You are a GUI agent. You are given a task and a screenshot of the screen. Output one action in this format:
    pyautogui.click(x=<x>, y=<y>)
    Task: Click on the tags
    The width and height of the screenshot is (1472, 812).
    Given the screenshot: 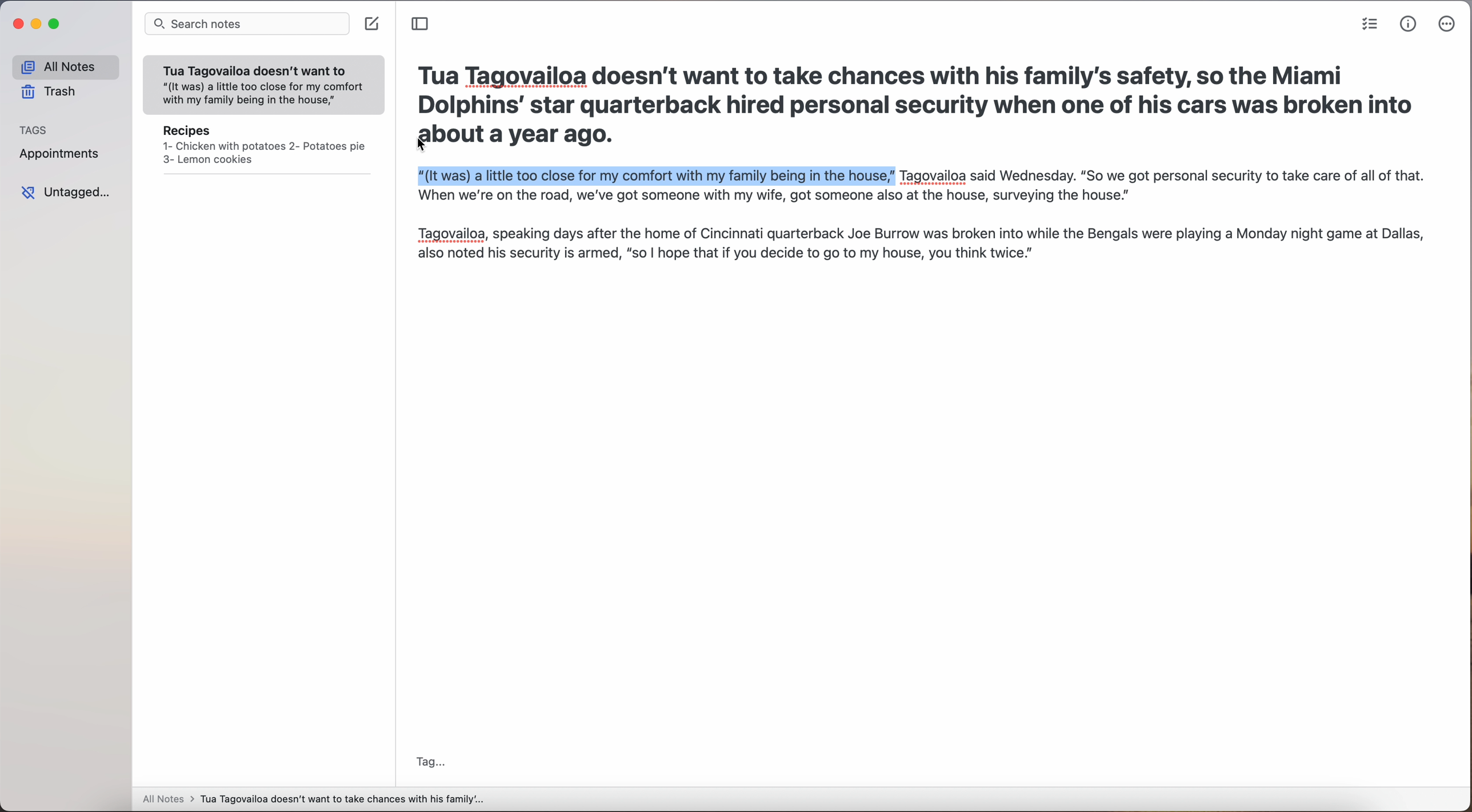 What is the action you would take?
    pyautogui.click(x=34, y=129)
    